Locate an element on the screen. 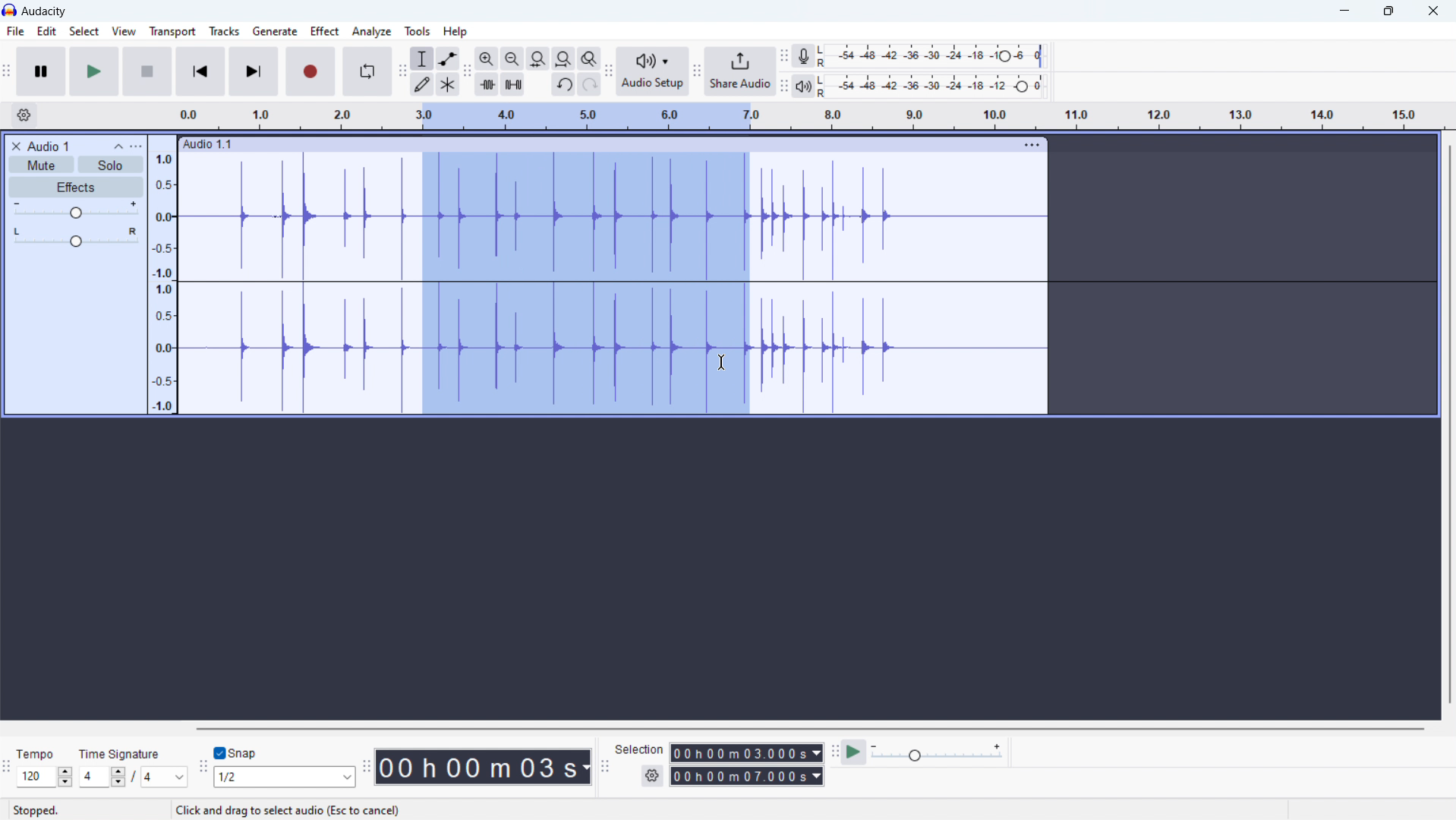 This screenshot has width=1456, height=820. menu is located at coordinates (1030, 145).